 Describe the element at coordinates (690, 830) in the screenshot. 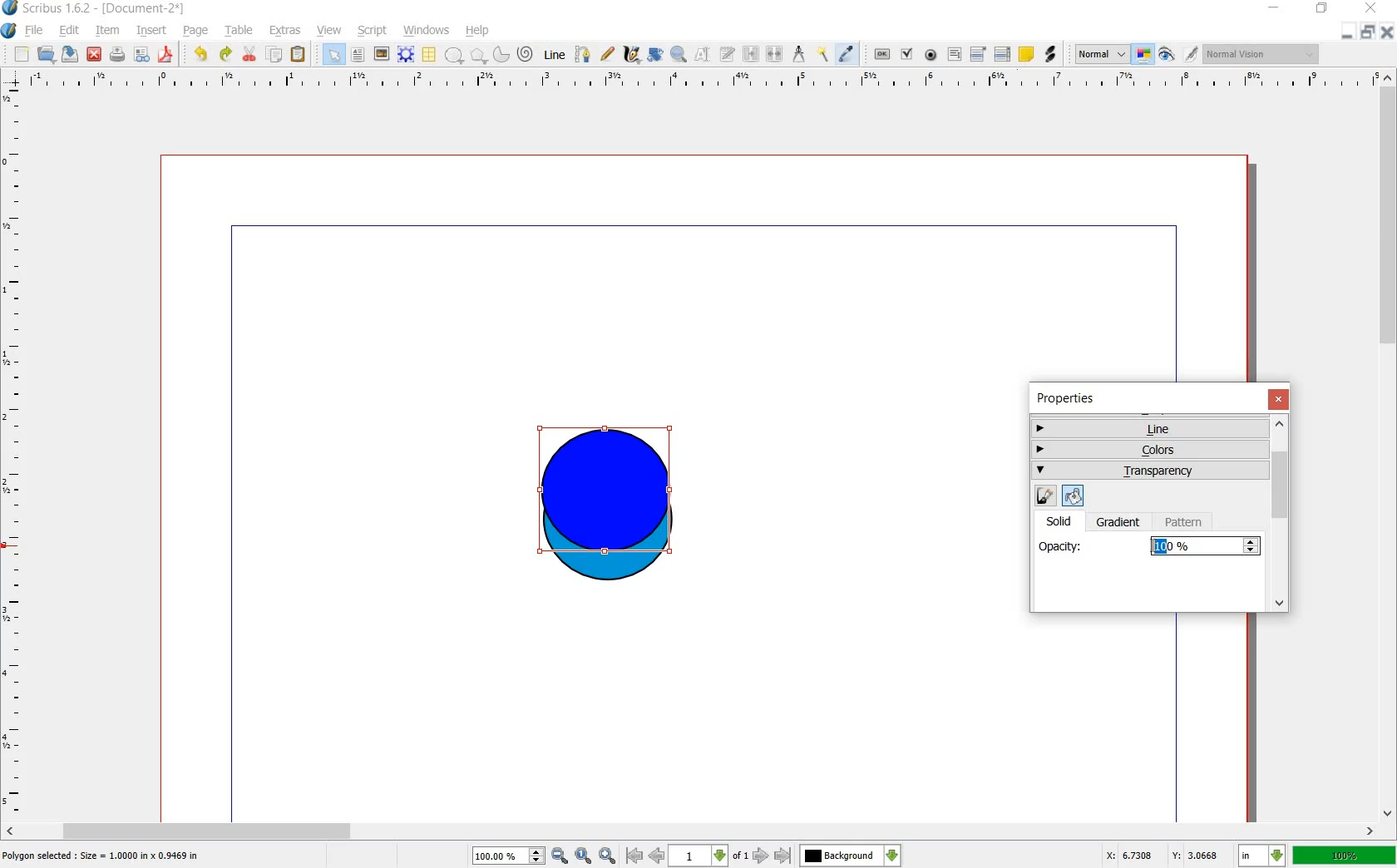

I see `scroll bar` at that location.